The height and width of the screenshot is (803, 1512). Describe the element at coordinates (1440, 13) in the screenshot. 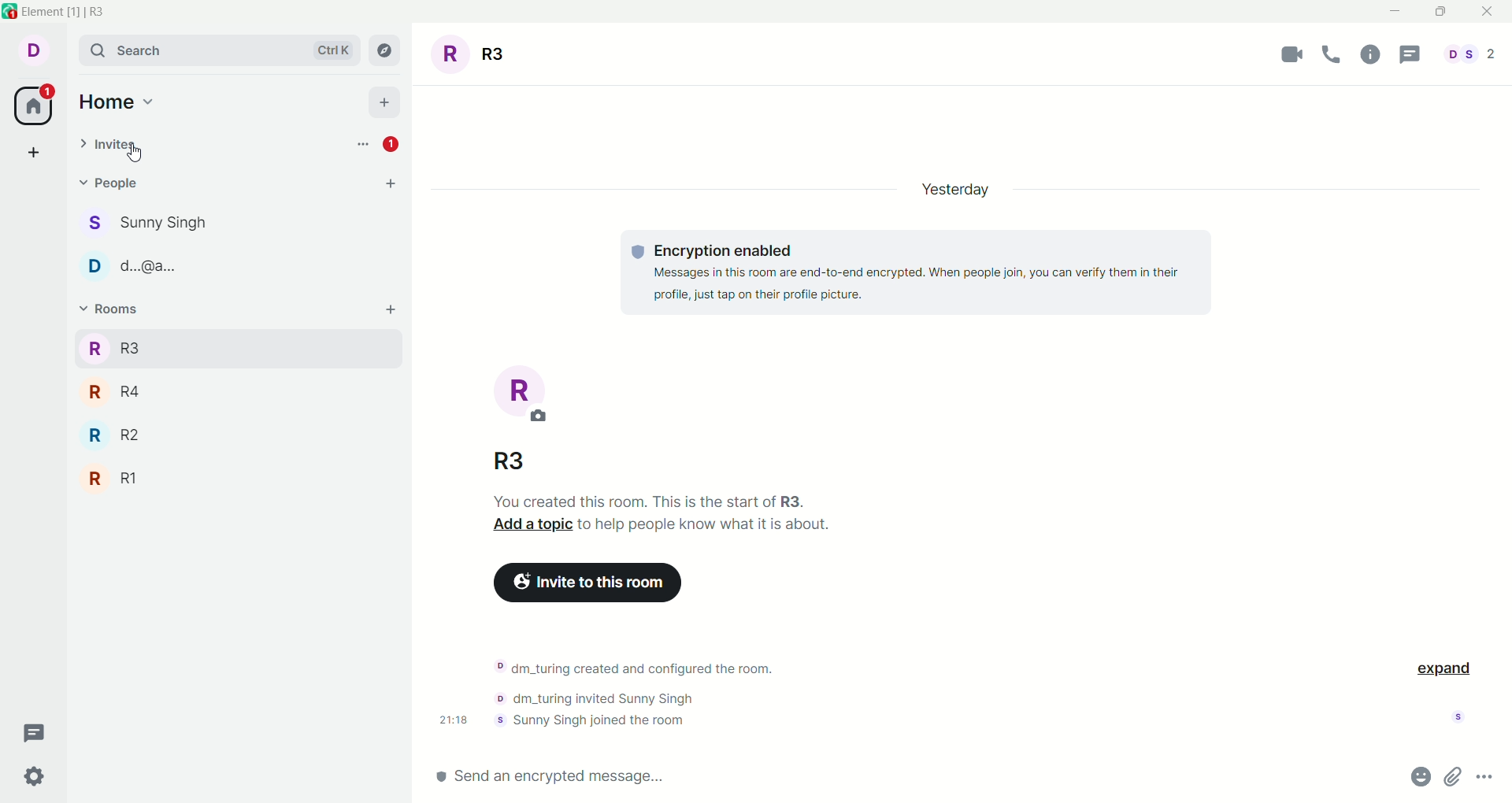

I see `maximize` at that location.